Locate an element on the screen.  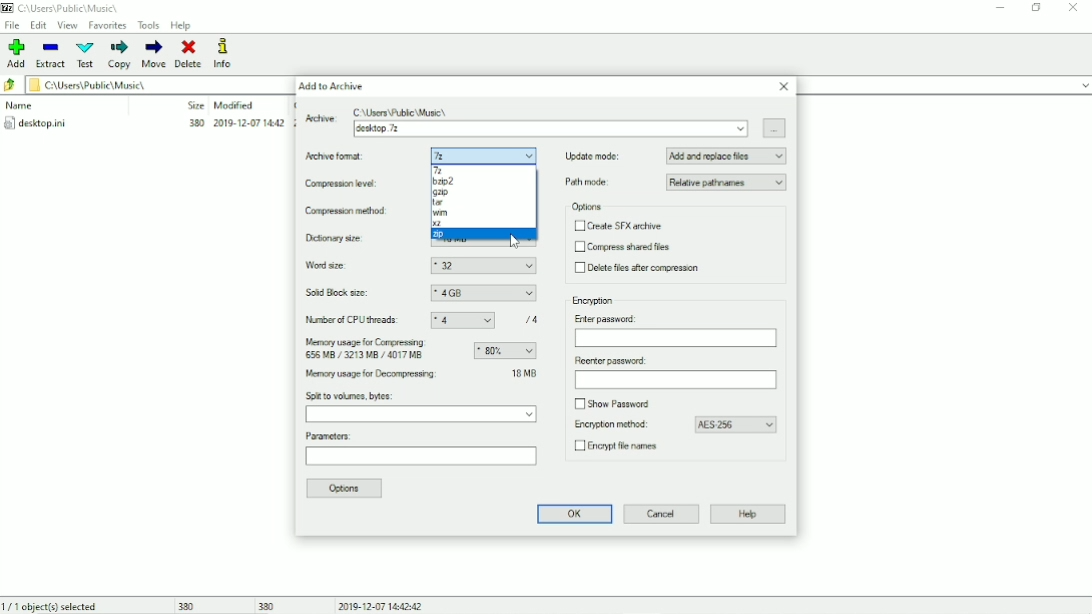
Show password is located at coordinates (612, 402).